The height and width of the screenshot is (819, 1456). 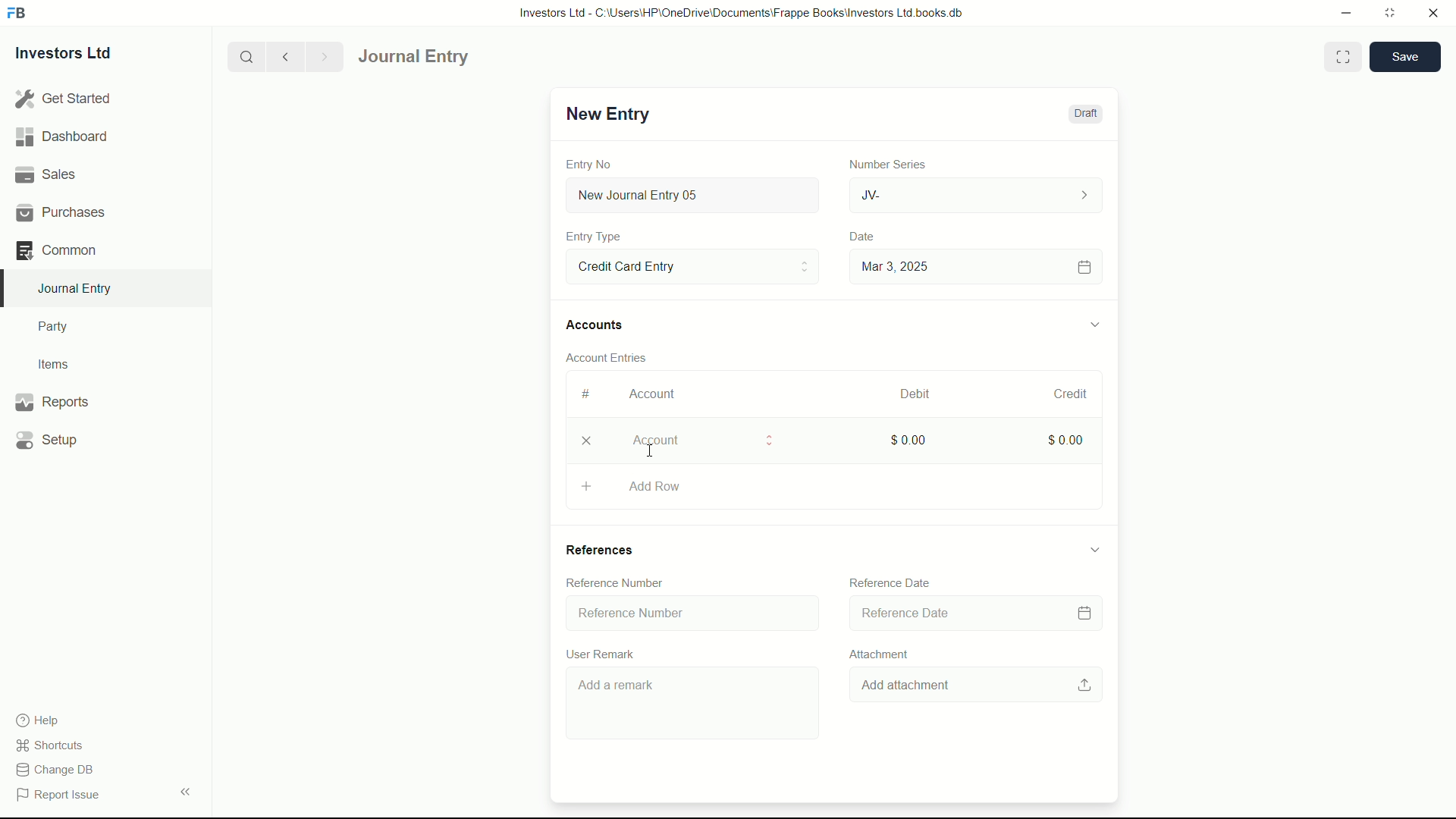 What do you see at coordinates (245, 55) in the screenshot?
I see `search` at bounding box center [245, 55].